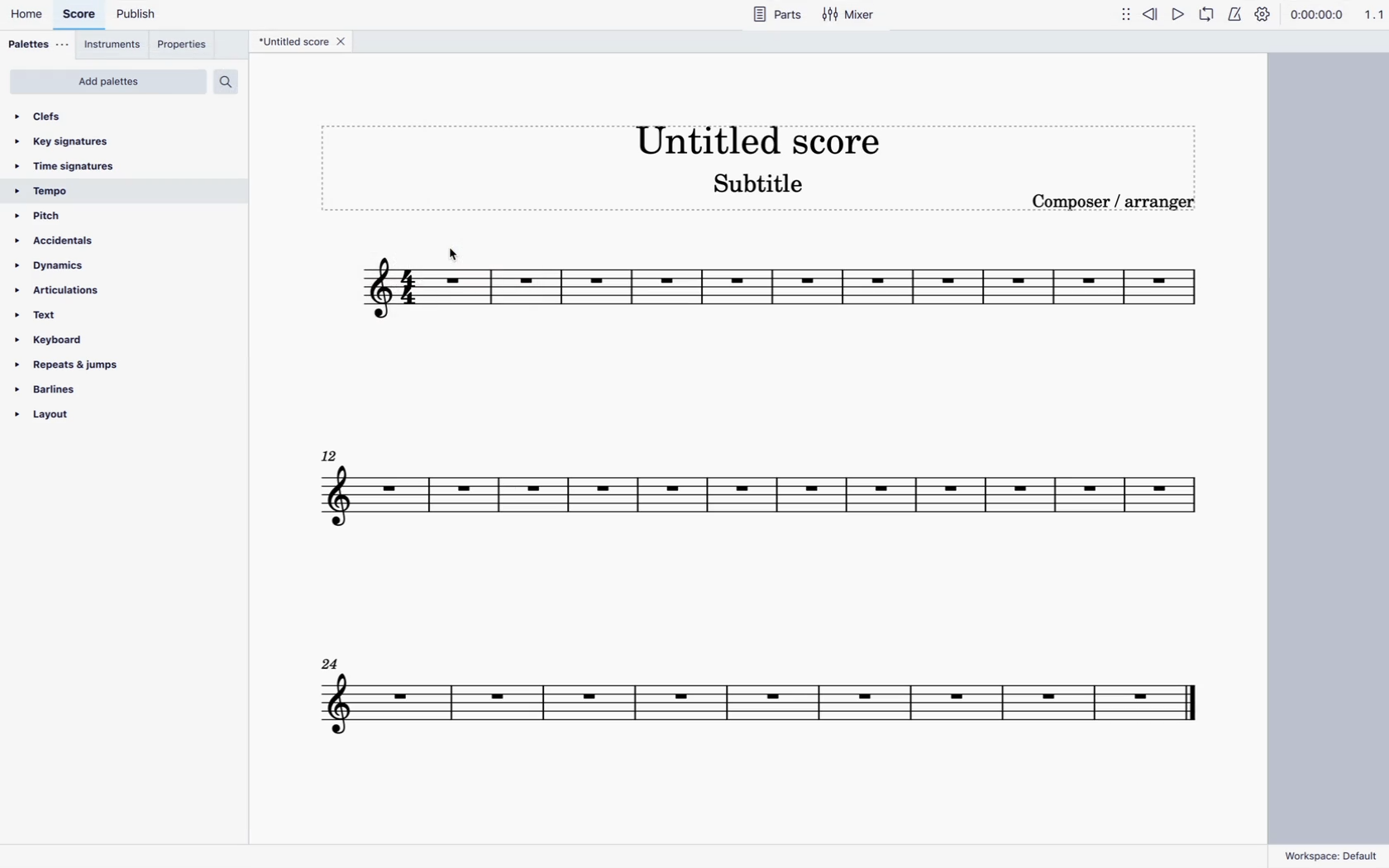  I want to click on metronome, so click(1233, 14).